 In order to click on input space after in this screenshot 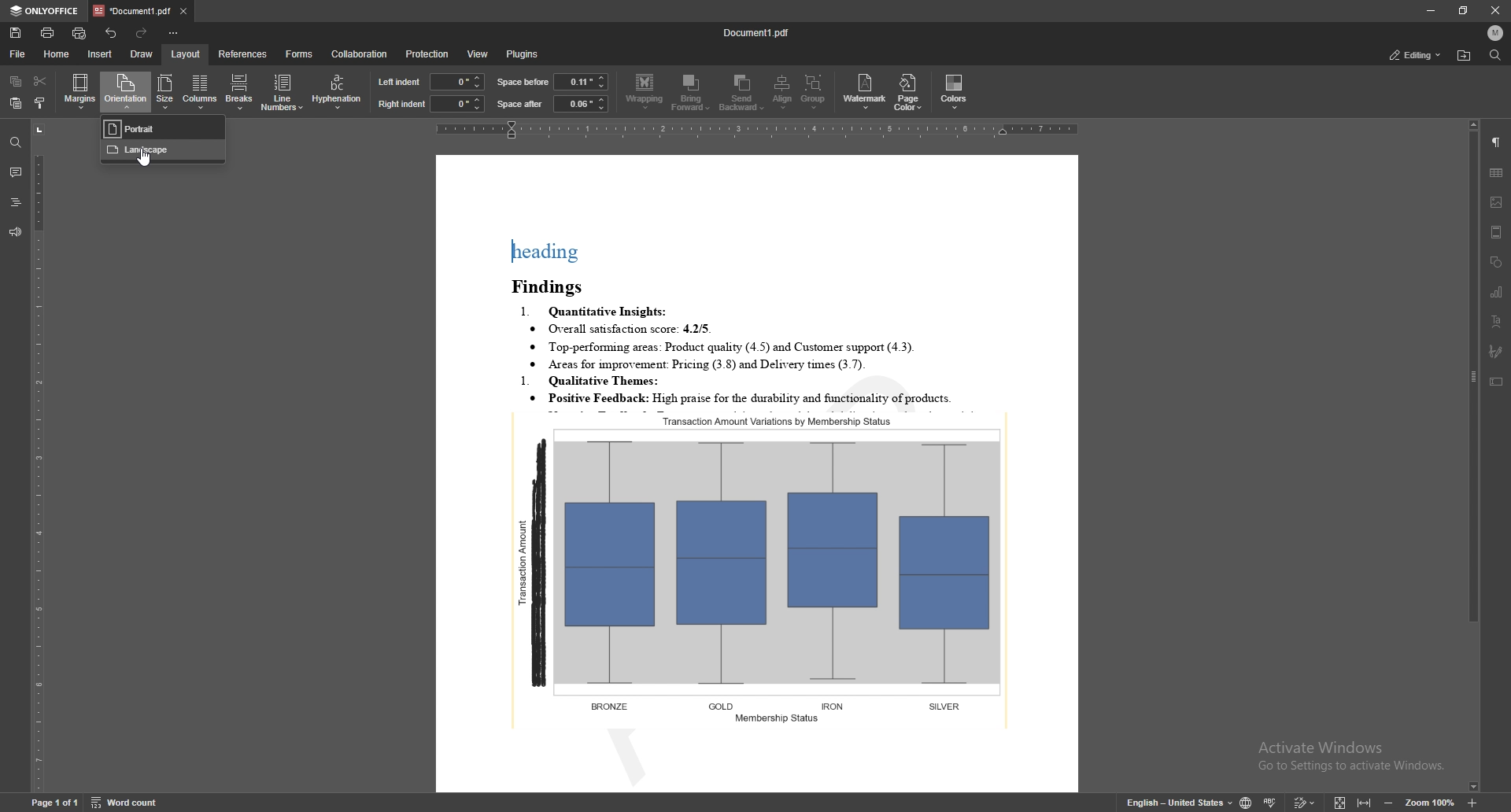, I will do `click(579, 104)`.